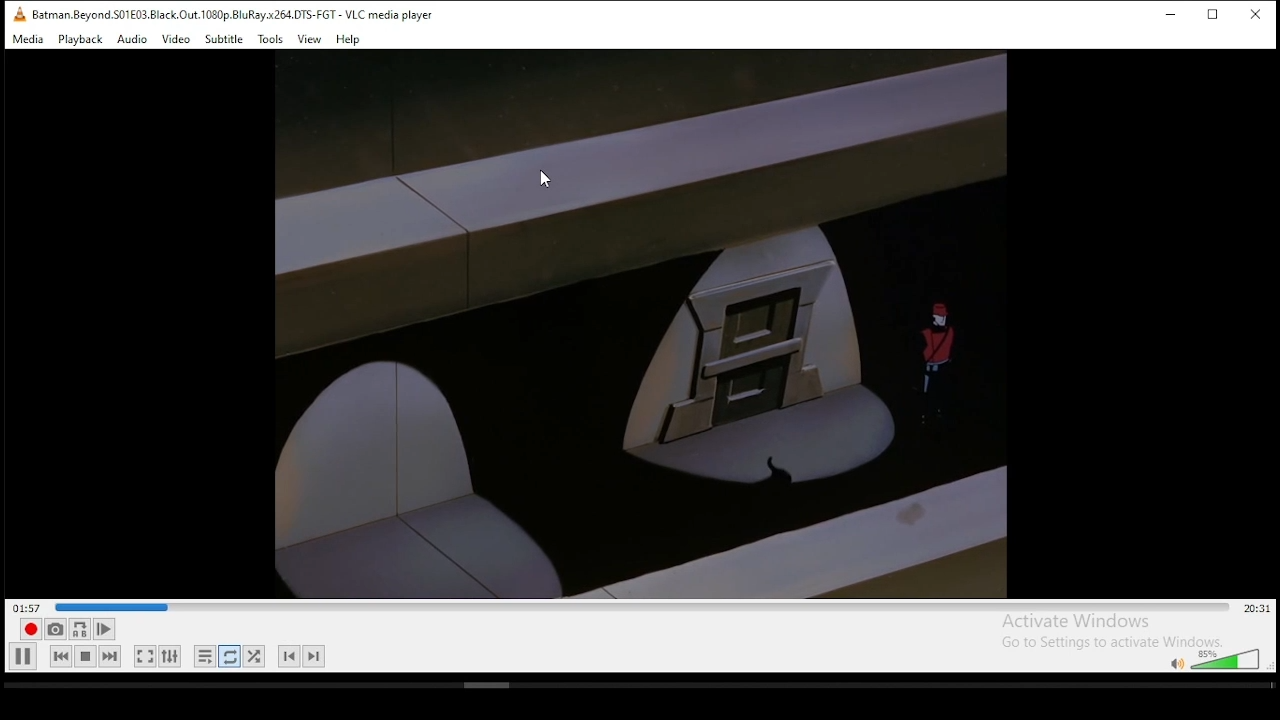 The width and height of the screenshot is (1280, 720). What do you see at coordinates (1215, 15) in the screenshot?
I see `restore` at bounding box center [1215, 15].